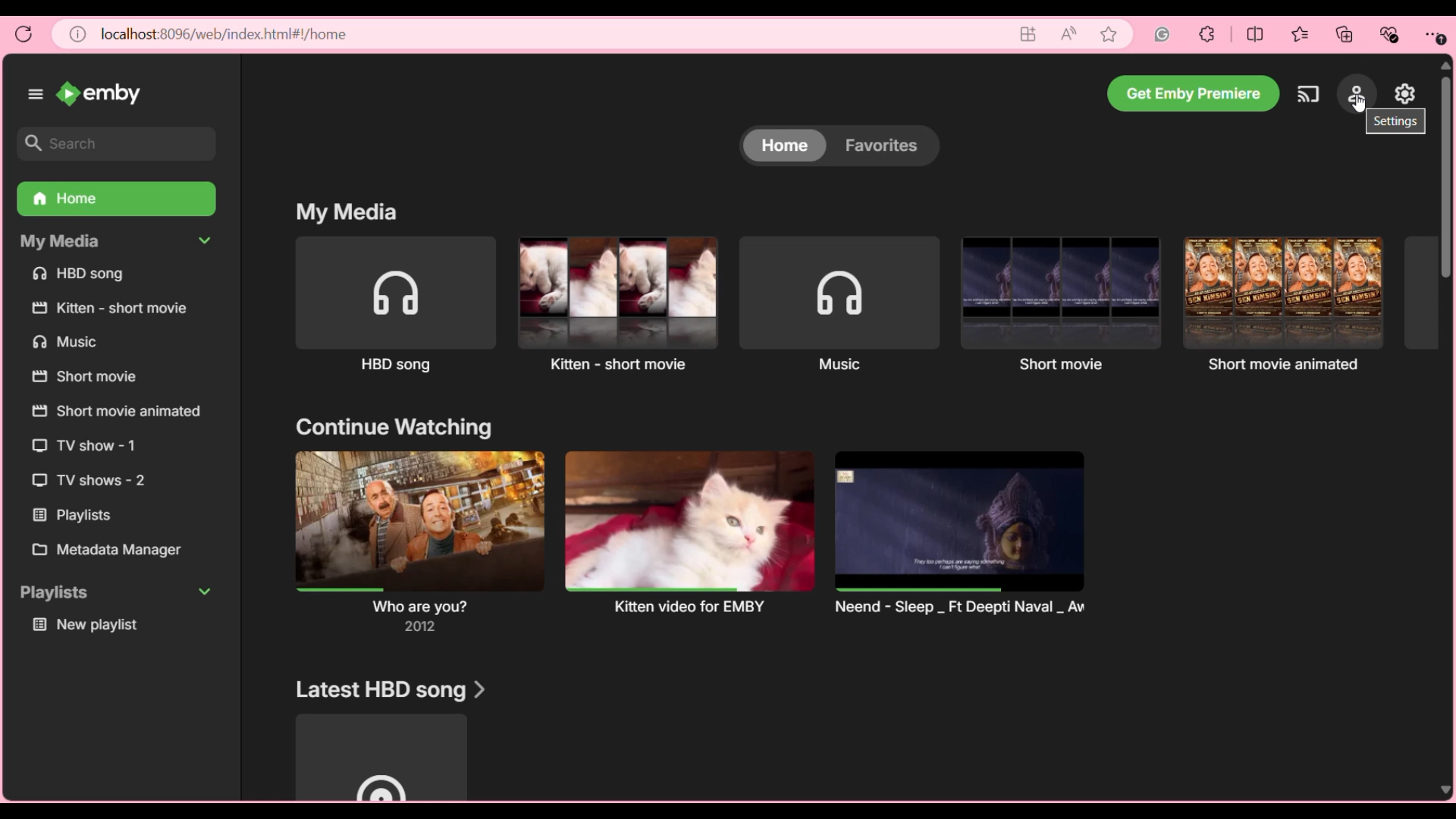 This screenshot has width=1456, height=819. I want to click on Grammarly extension for browser, so click(1163, 34).